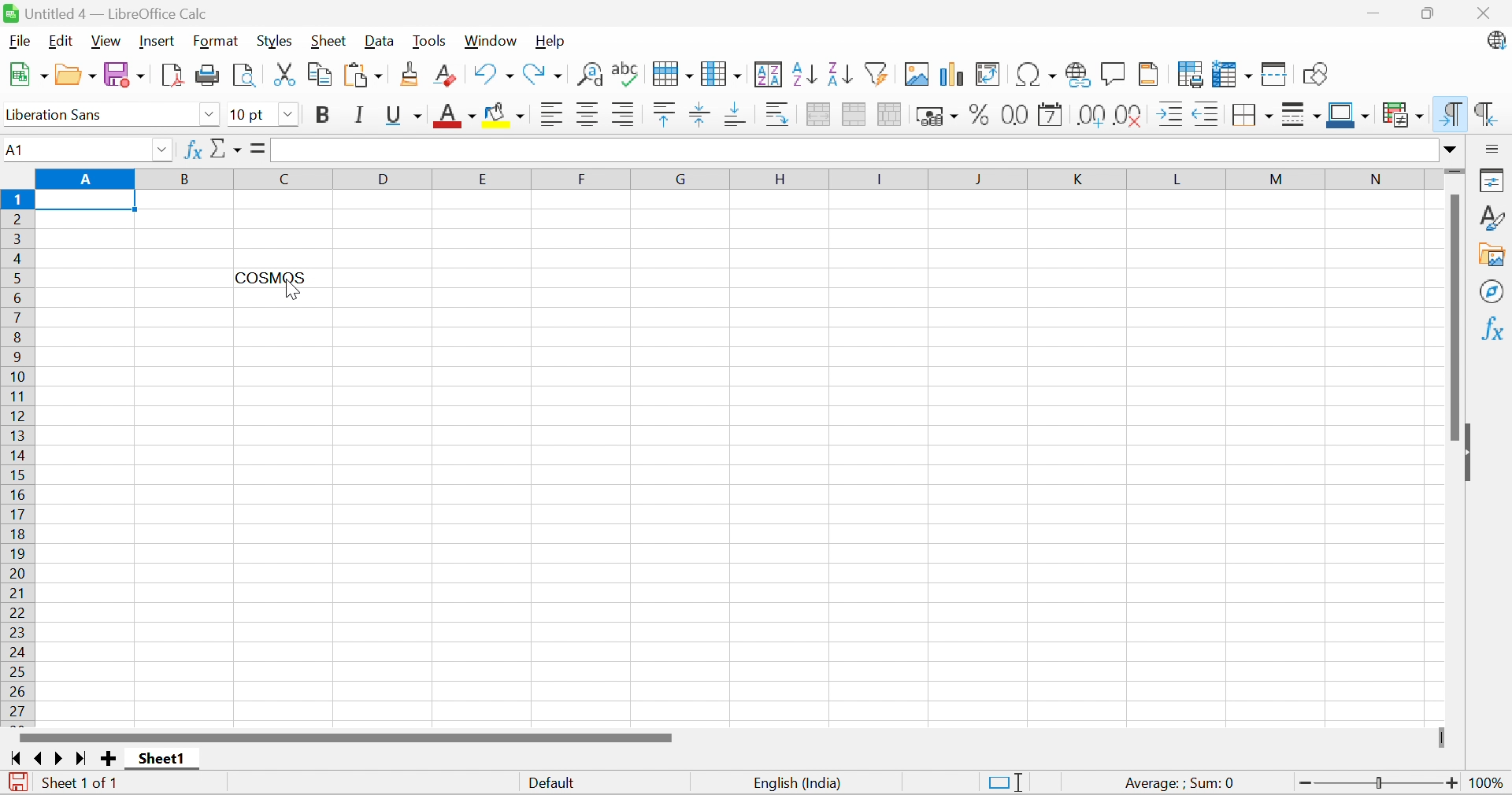 Image resolution: width=1512 pixels, height=795 pixels. I want to click on Styles, so click(276, 40).